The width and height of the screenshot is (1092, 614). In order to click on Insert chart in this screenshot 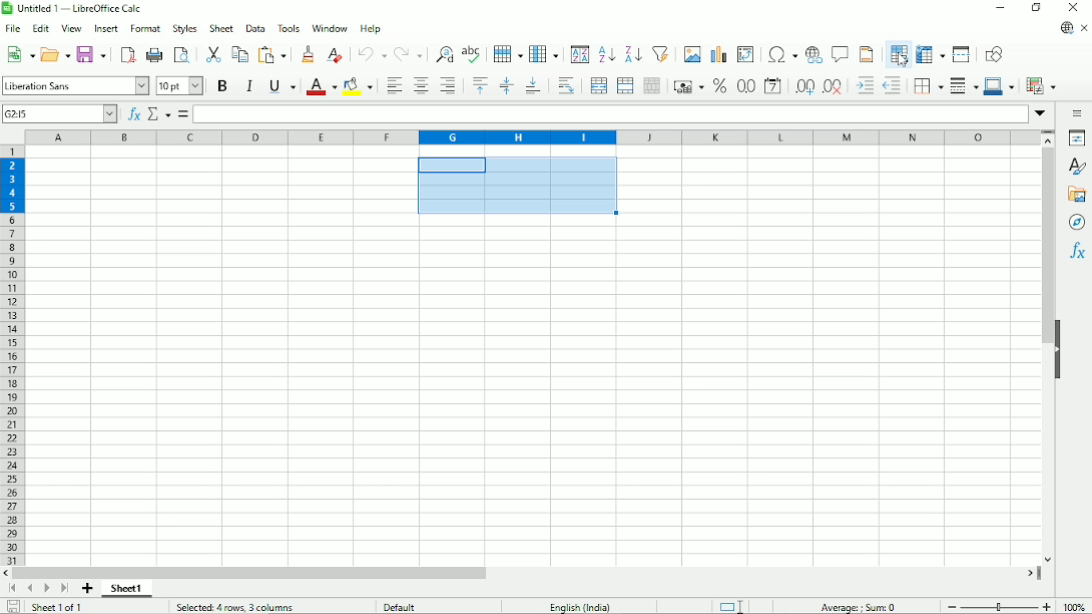, I will do `click(717, 52)`.